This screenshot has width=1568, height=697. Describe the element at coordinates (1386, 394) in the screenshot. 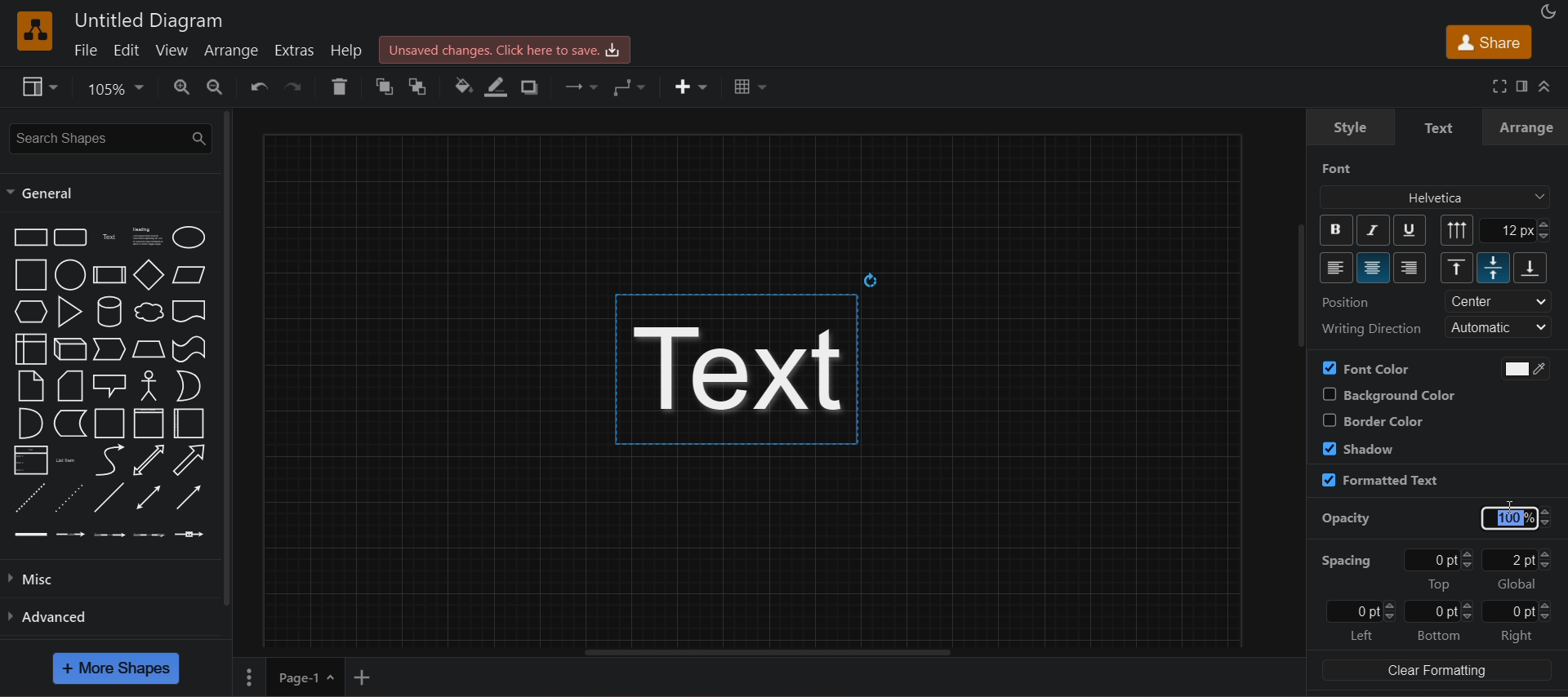

I see `background color` at that location.